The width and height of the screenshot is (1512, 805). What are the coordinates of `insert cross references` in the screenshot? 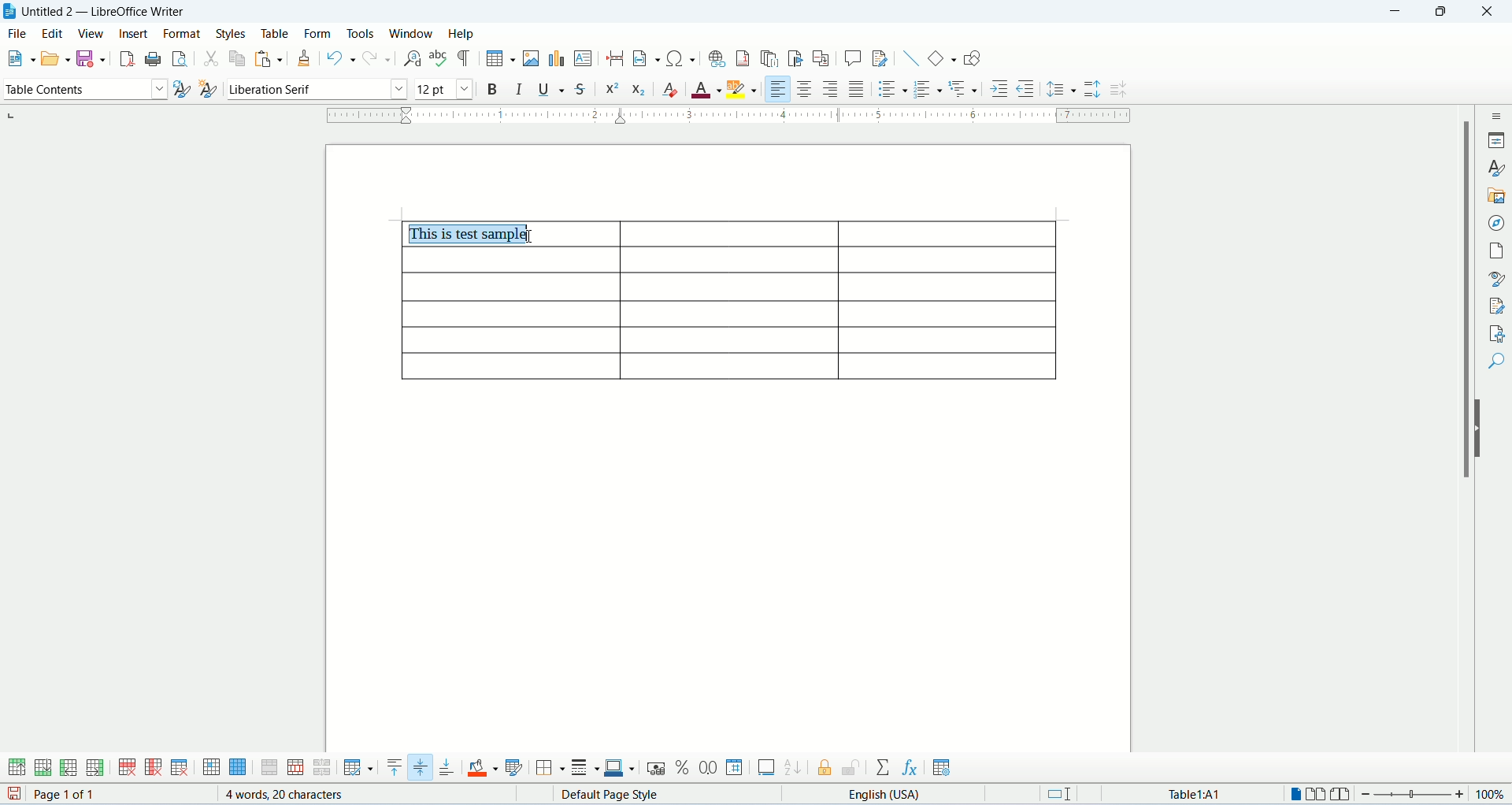 It's located at (822, 58).